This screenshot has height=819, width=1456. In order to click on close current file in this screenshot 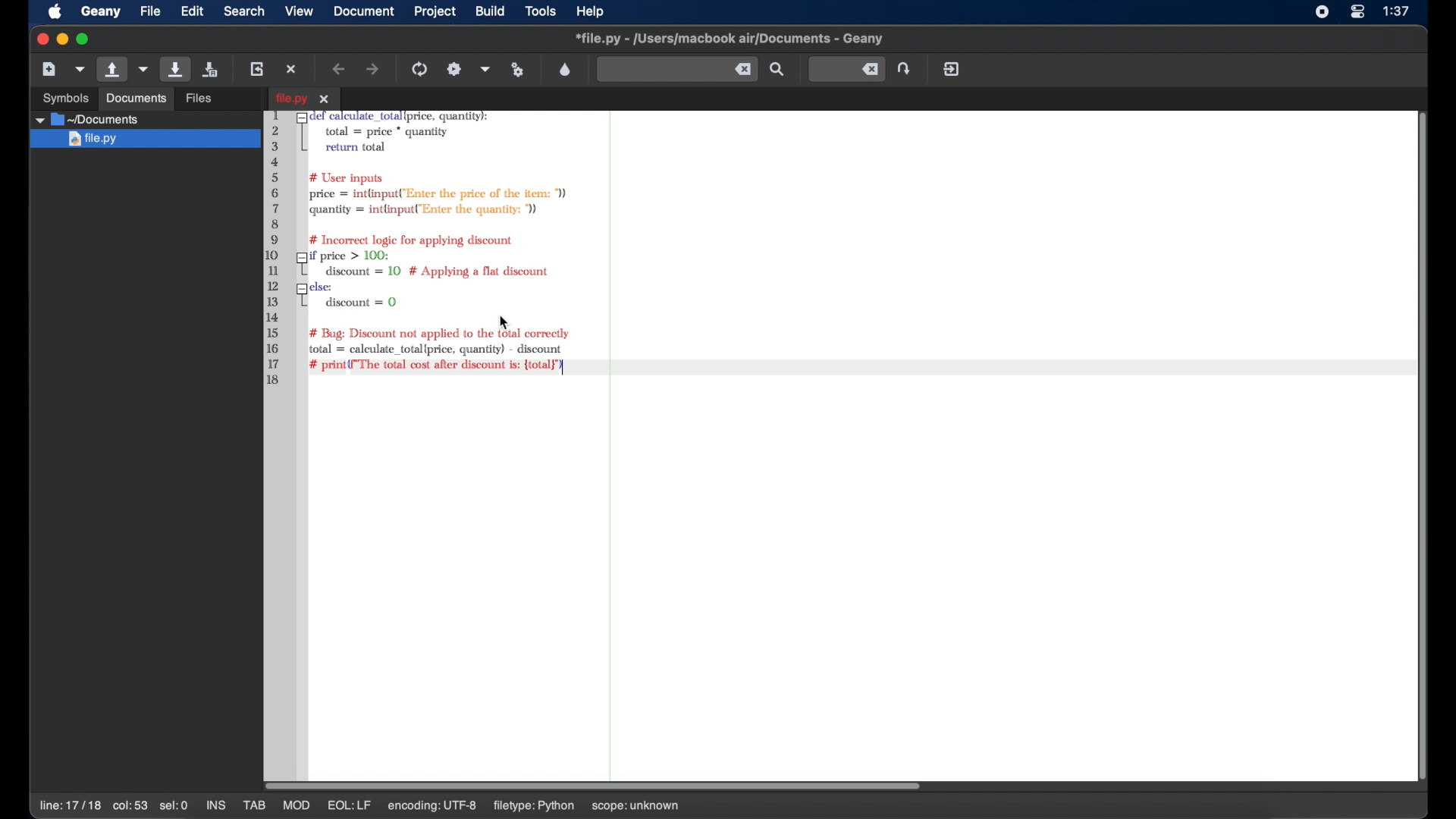, I will do `click(293, 69)`.